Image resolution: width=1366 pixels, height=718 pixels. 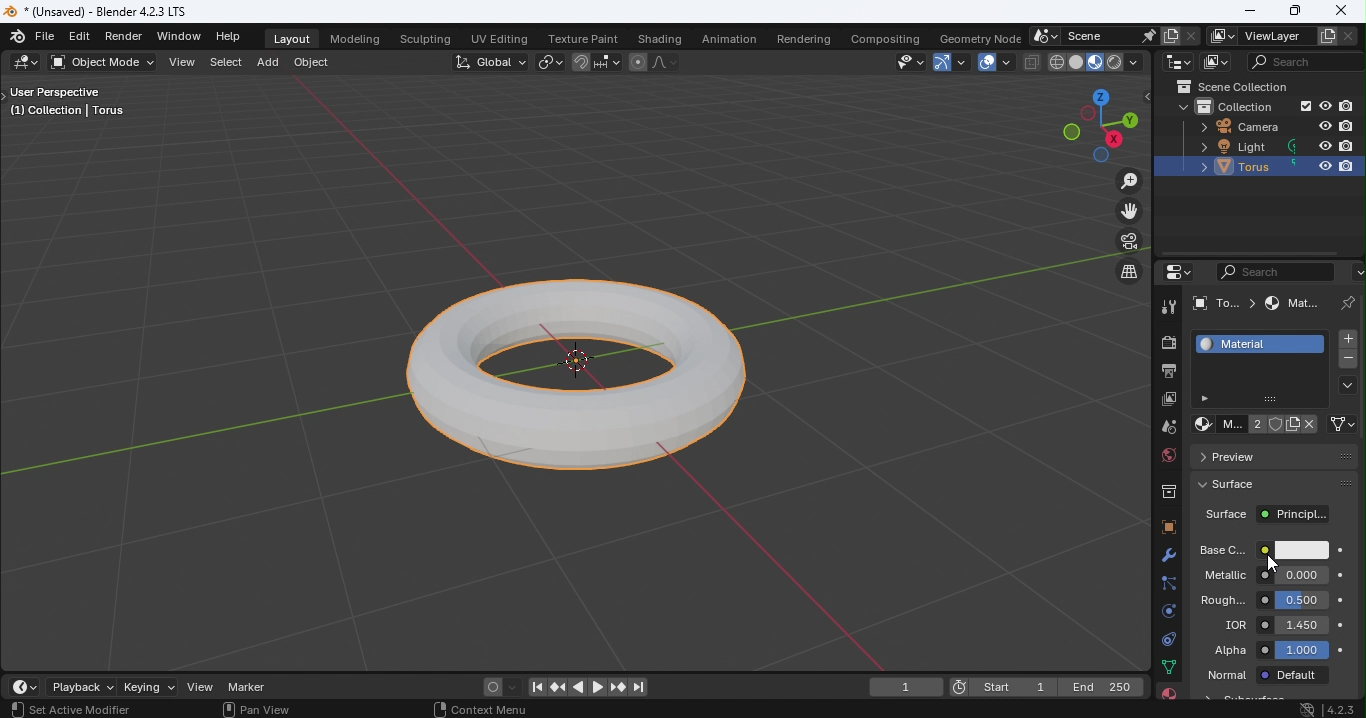 I want to click on Plat animation, so click(x=598, y=689).